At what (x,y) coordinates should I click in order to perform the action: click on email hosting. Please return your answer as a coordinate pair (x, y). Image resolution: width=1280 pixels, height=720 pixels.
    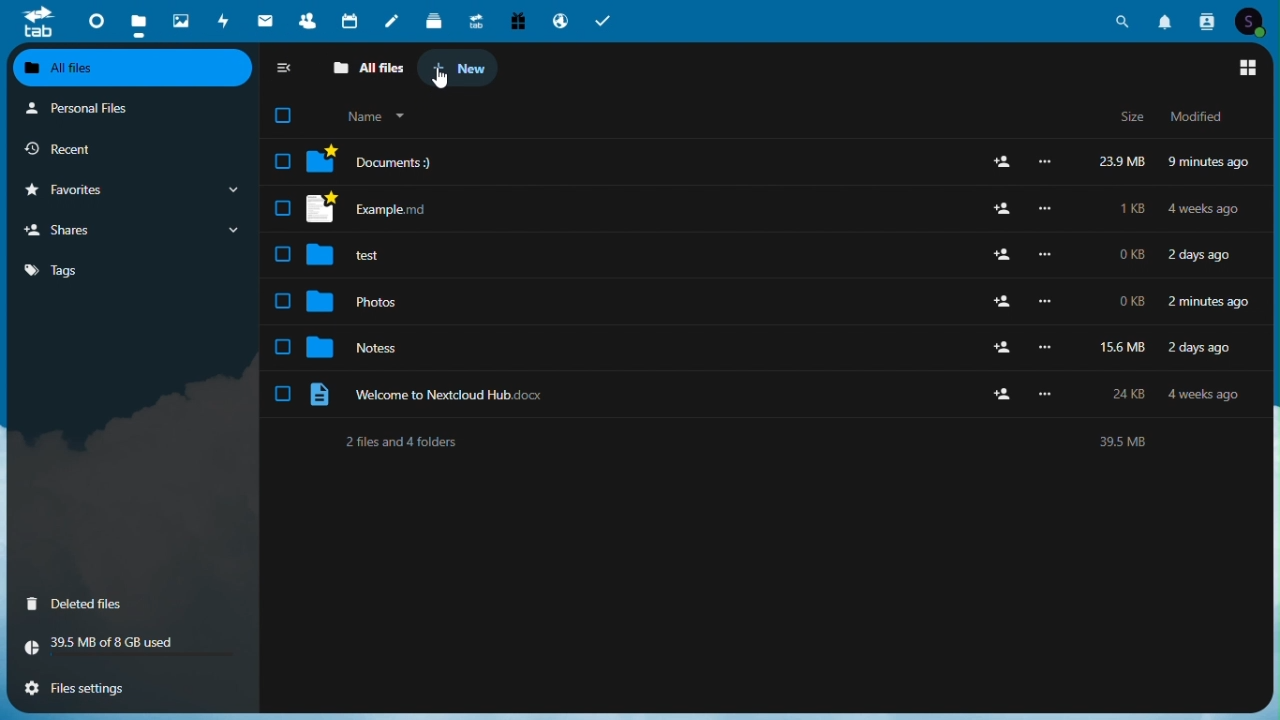
    Looking at the image, I should click on (559, 19).